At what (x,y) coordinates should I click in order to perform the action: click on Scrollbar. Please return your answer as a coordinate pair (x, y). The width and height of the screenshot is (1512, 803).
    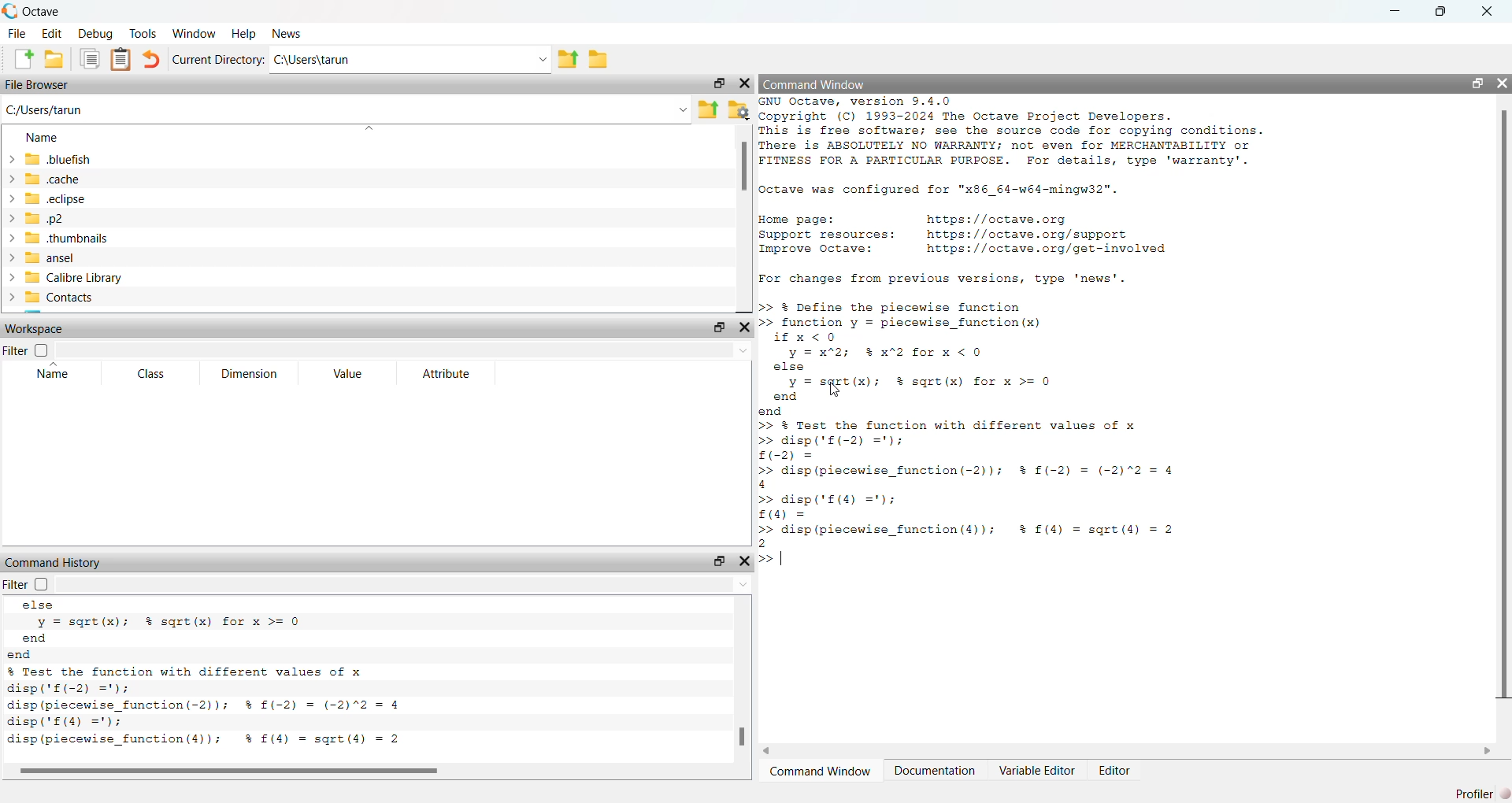
    Looking at the image, I should click on (1506, 405).